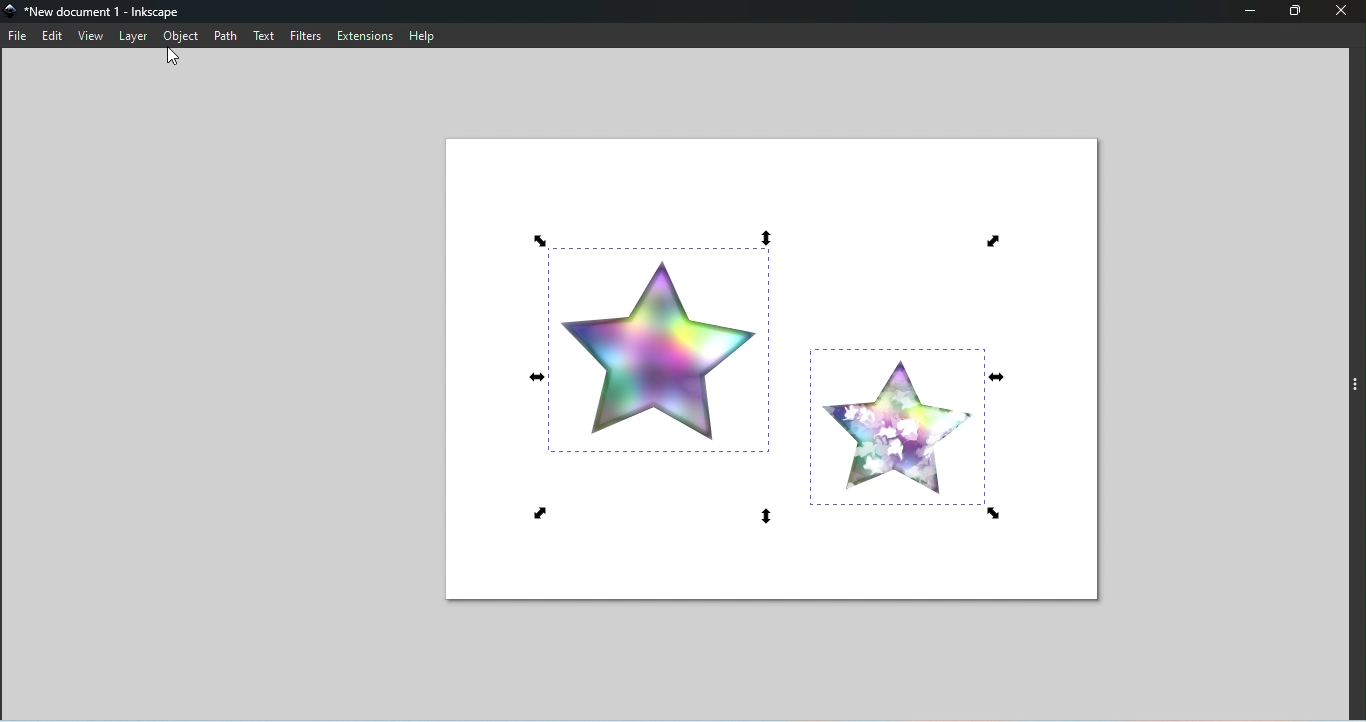  What do you see at coordinates (310, 35) in the screenshot?
I see `Filters` at bounding box center [310, 35].